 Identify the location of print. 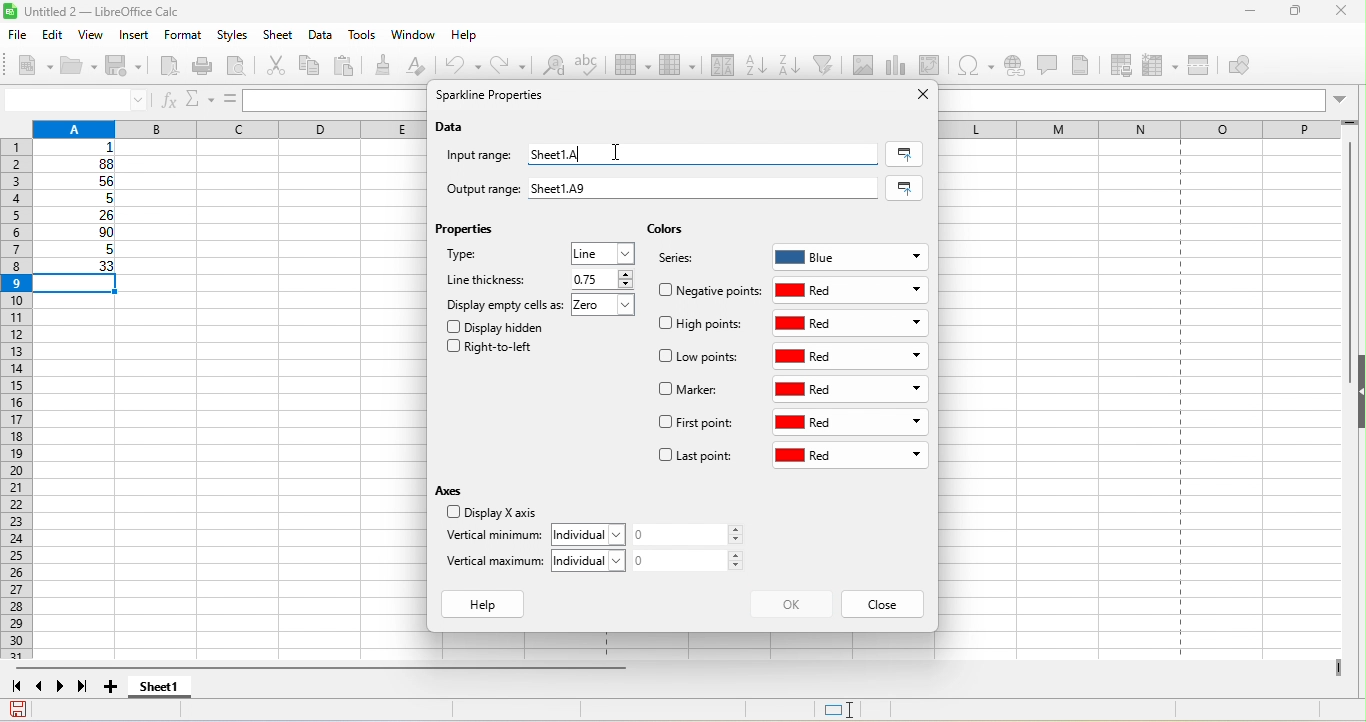
(207, 66).